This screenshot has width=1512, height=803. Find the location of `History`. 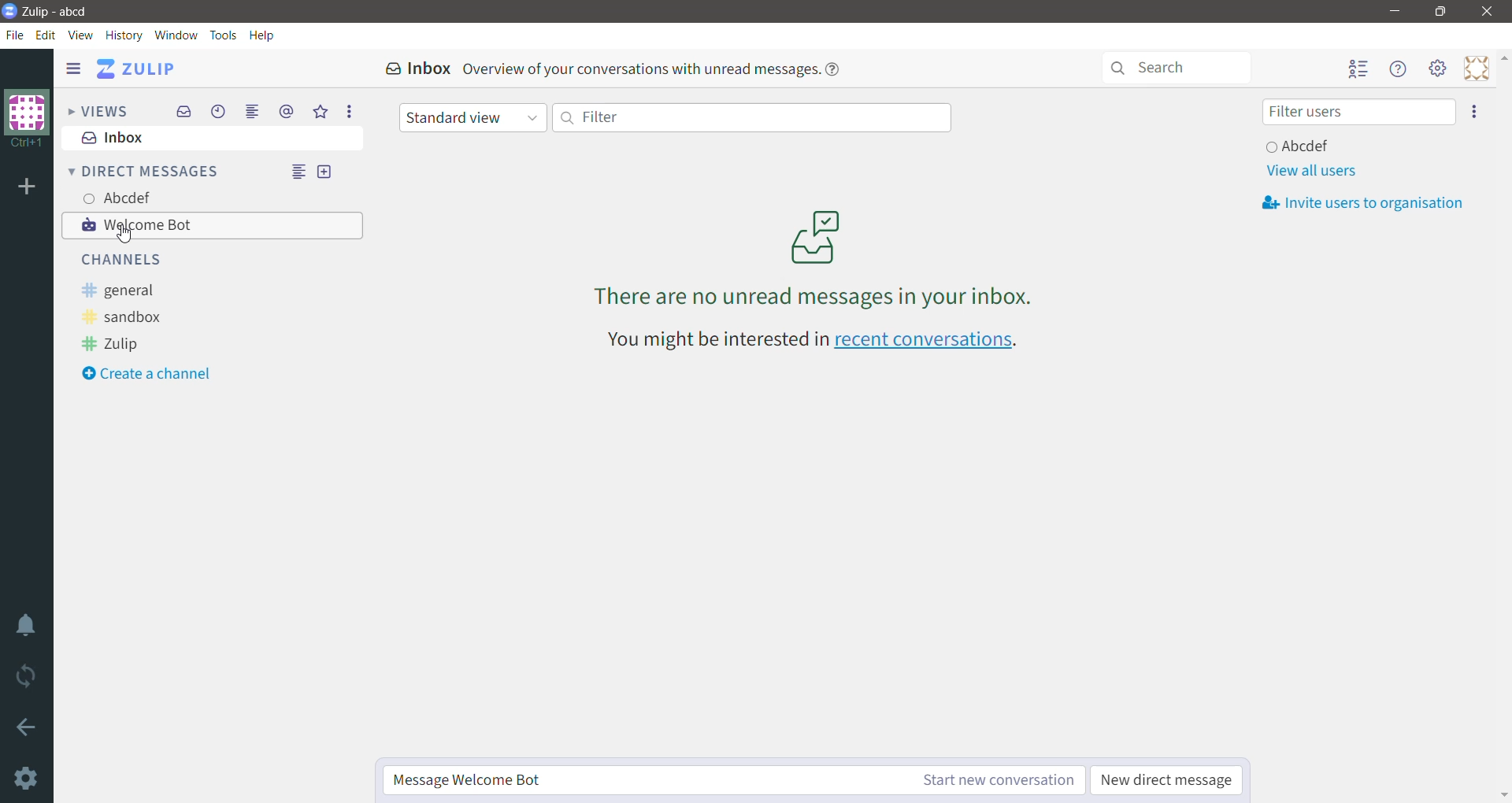

History is located at coordinates (125, 35).